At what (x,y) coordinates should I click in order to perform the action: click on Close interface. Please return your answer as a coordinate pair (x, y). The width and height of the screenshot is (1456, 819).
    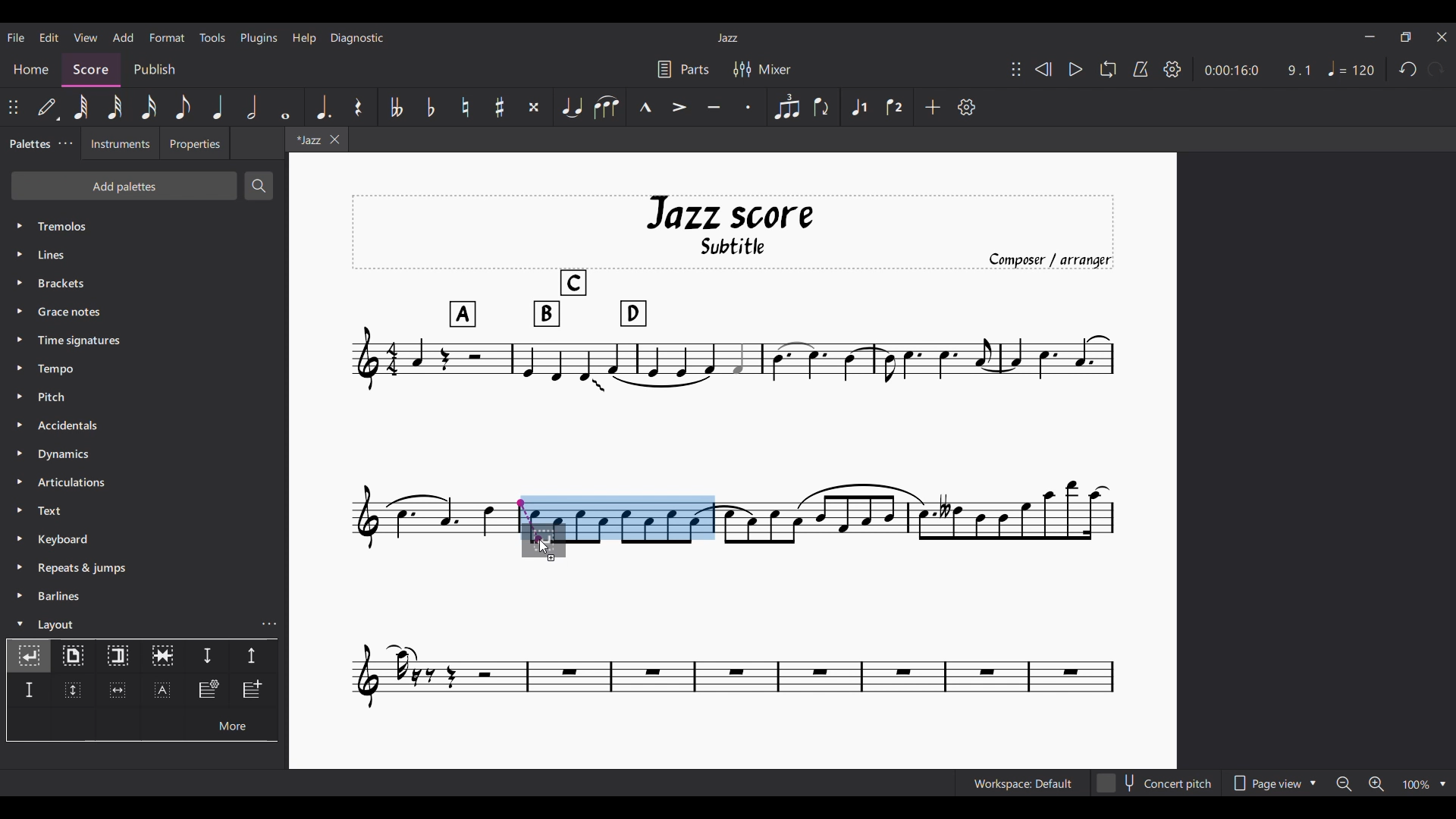
    Looking at the image, I should click on (1442, 37).